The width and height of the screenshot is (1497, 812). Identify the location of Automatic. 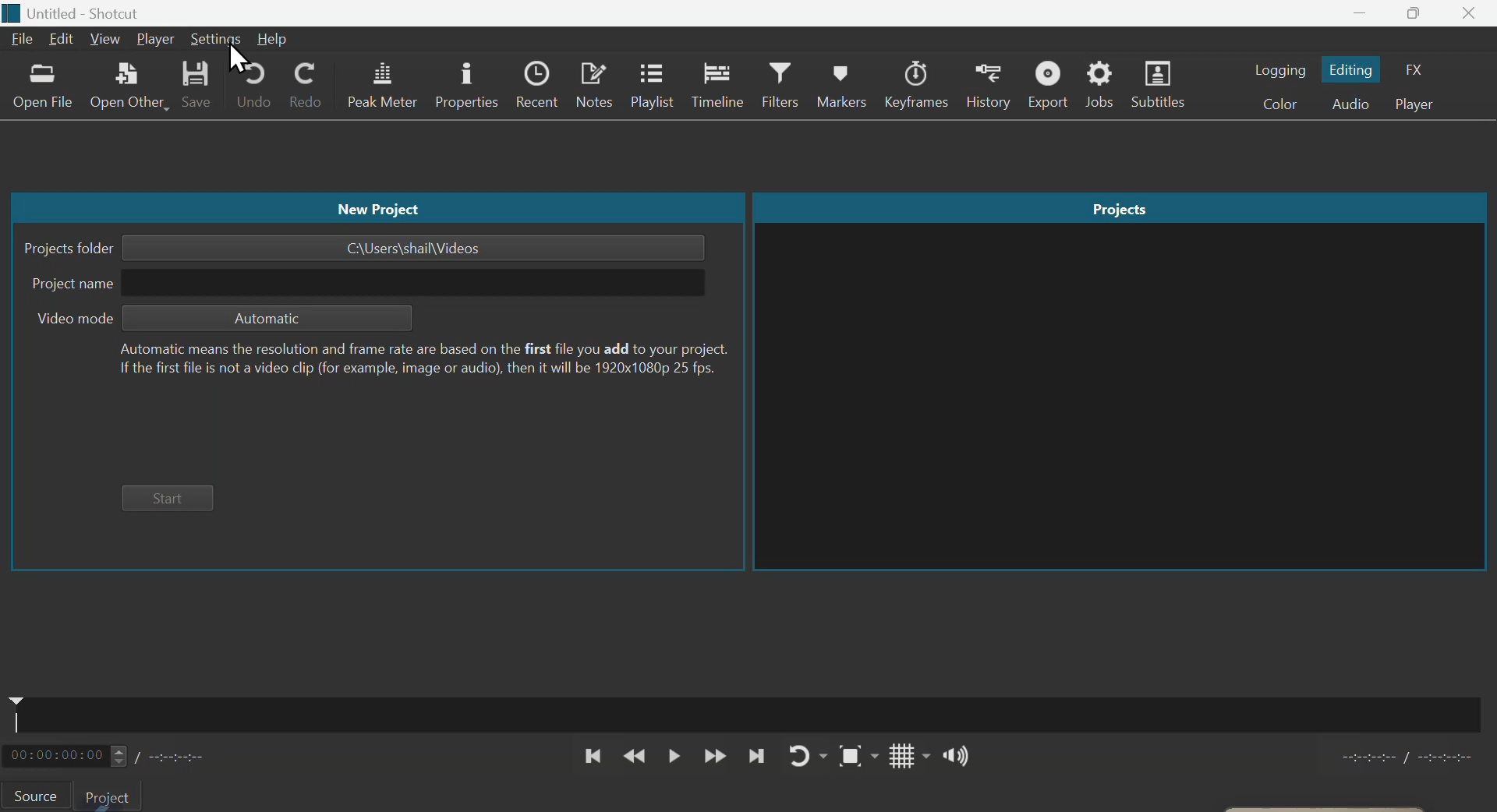
(269, 319).